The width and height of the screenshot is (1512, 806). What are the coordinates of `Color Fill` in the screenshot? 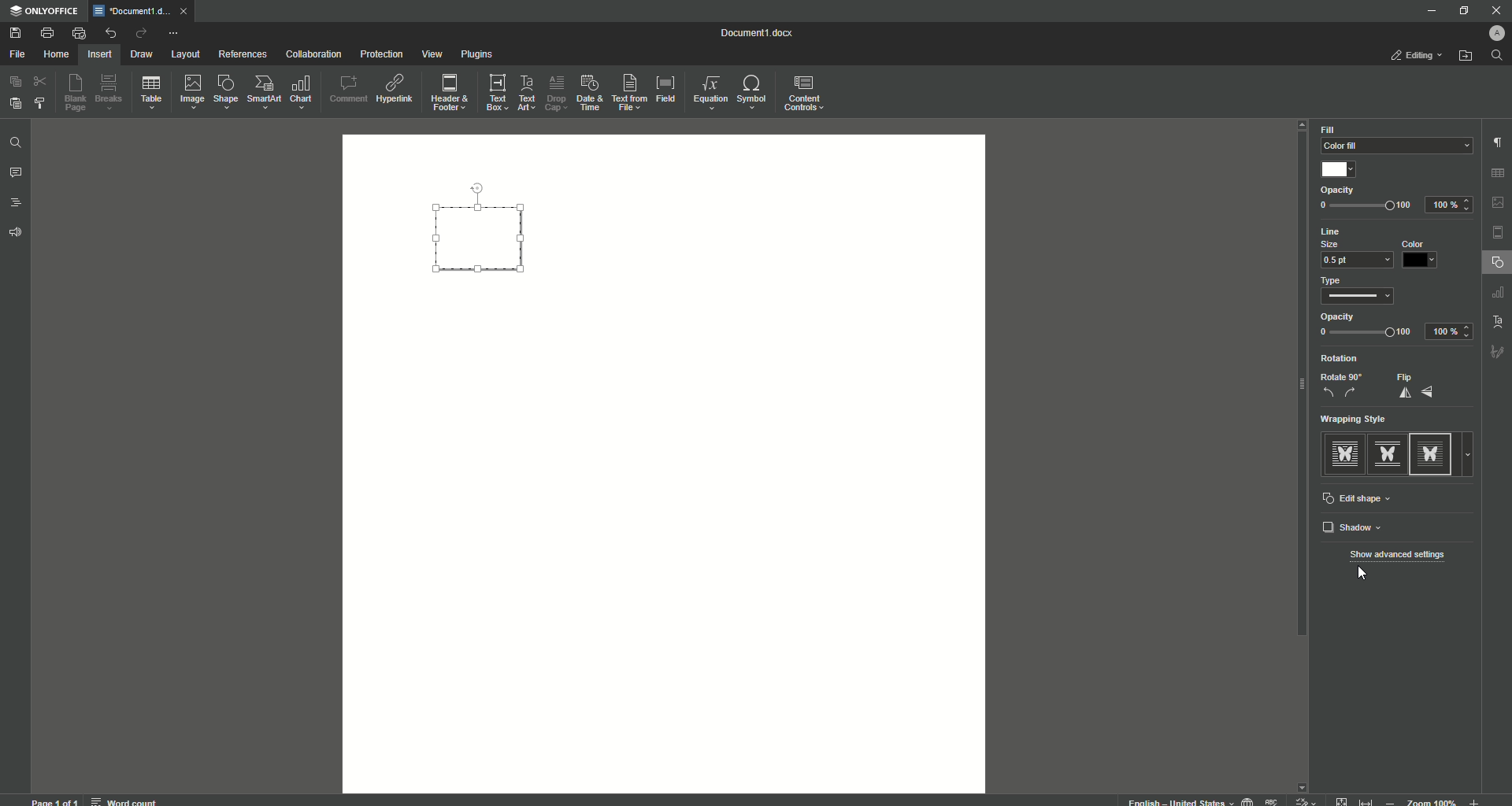 It's located at (1393, 146).